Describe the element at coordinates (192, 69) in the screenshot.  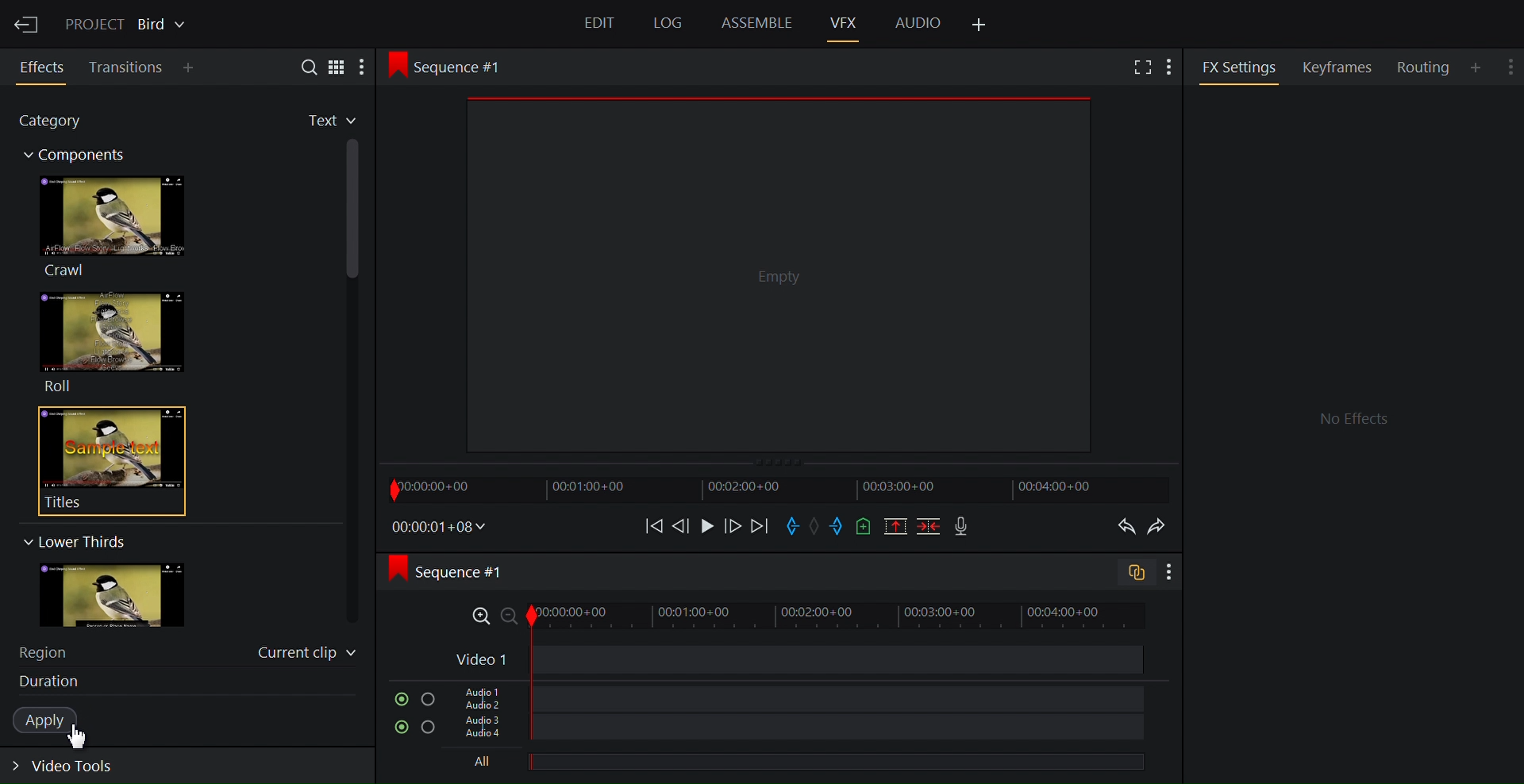
I see `Add Panel` at that location.